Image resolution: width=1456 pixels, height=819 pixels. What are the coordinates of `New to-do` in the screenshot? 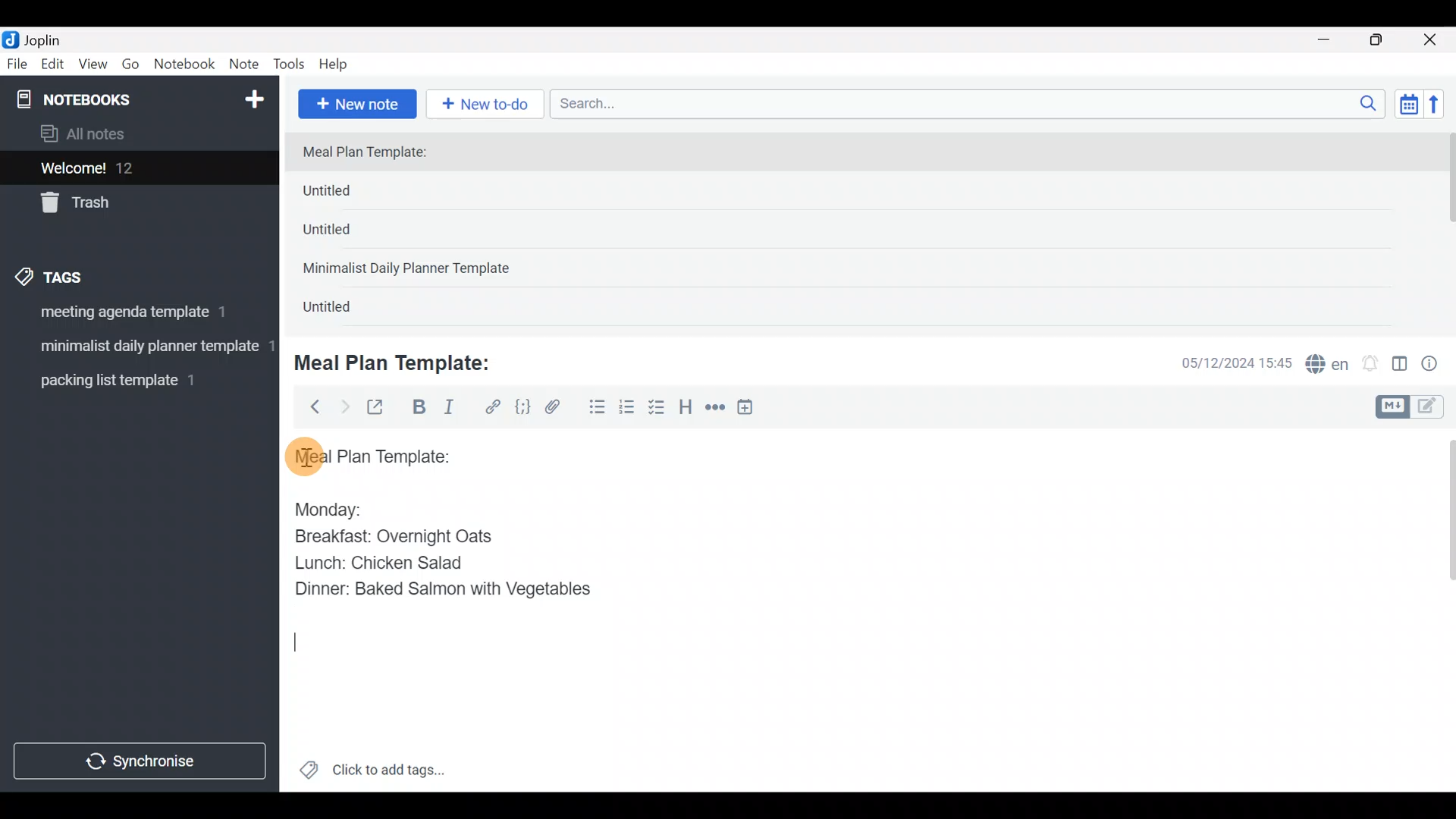 It's located at (488, 105).